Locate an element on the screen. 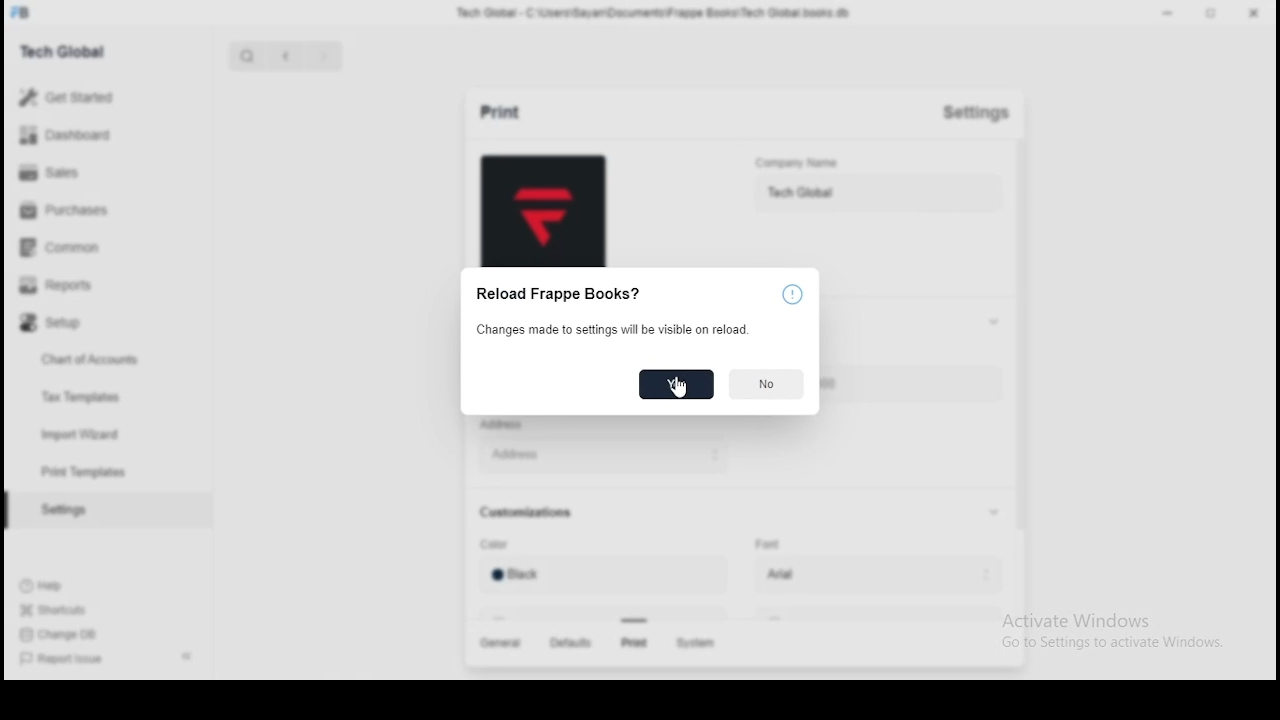 The height and width of the screenshot is (720, 1280). change DB is located at coordinates (54, 637).